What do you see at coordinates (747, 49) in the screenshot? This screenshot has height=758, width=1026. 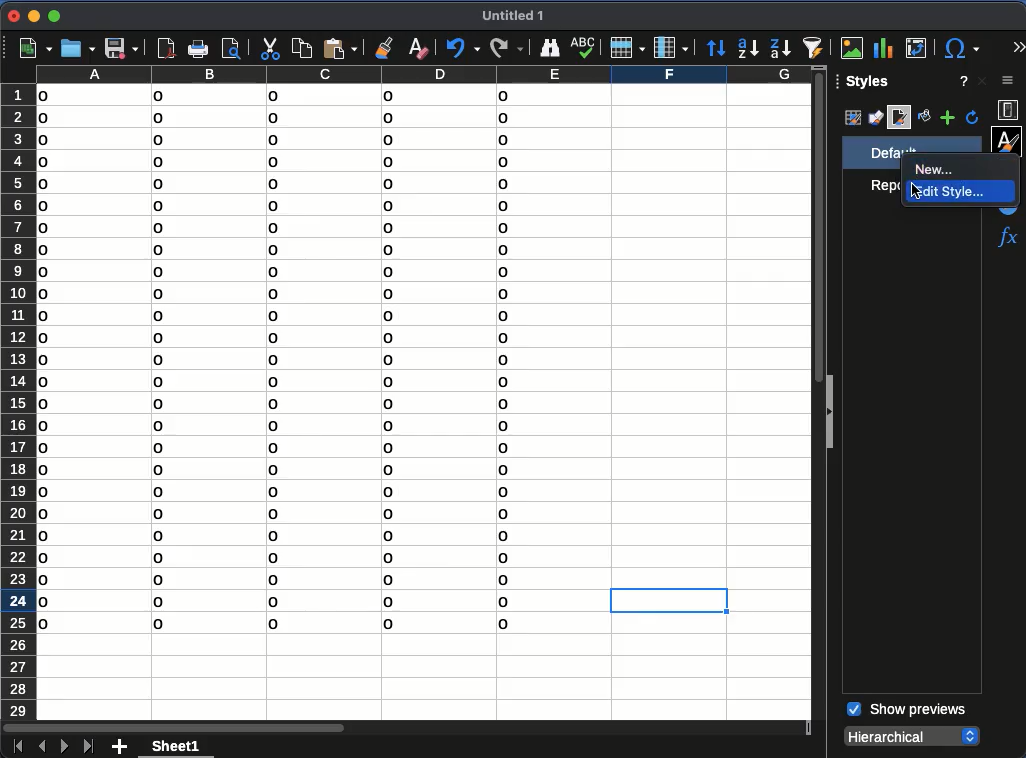 I see `ascending` at bounding box center [747, 49].